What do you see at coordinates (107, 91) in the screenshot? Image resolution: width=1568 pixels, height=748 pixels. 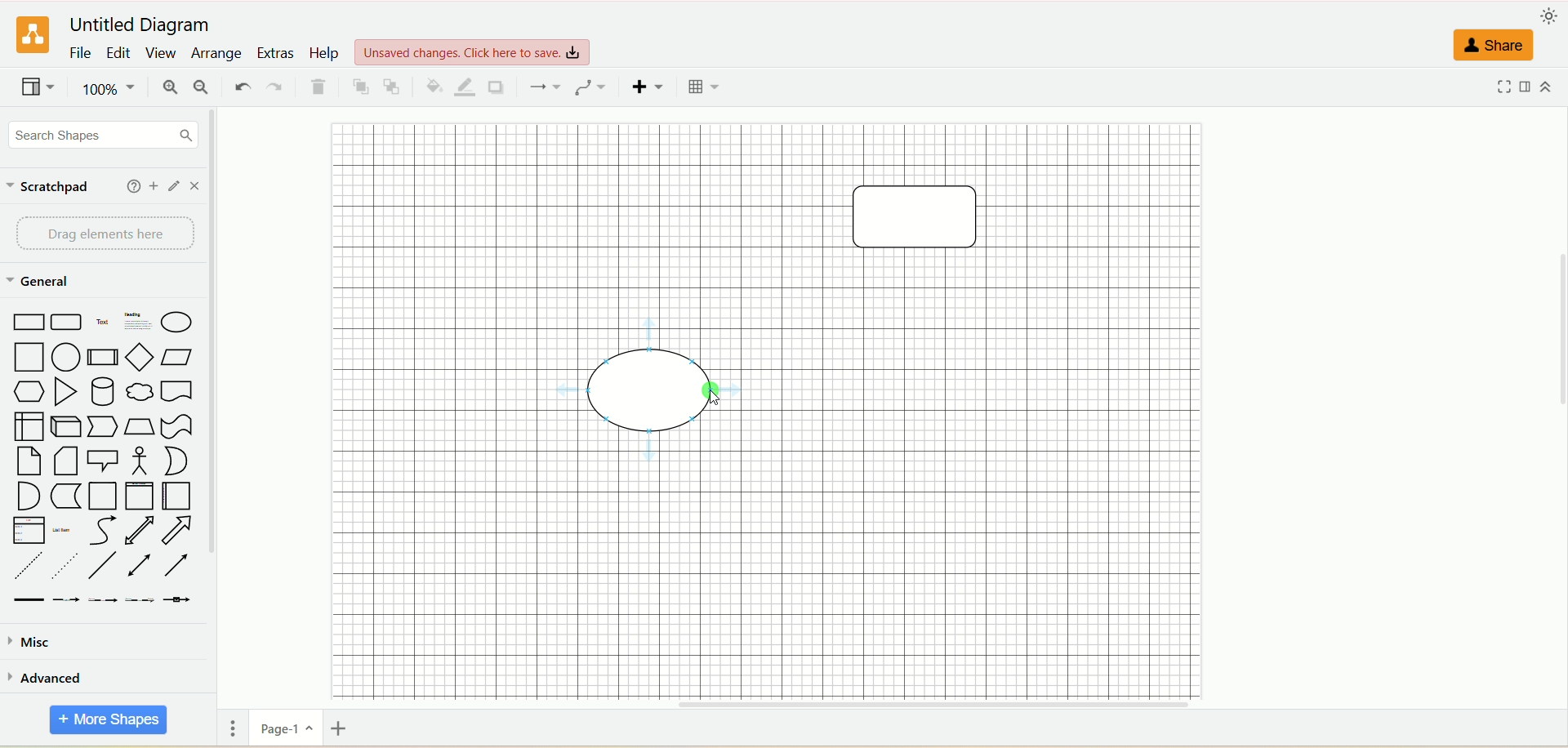 I see `zoom factor` at bounding box center [107, 91].